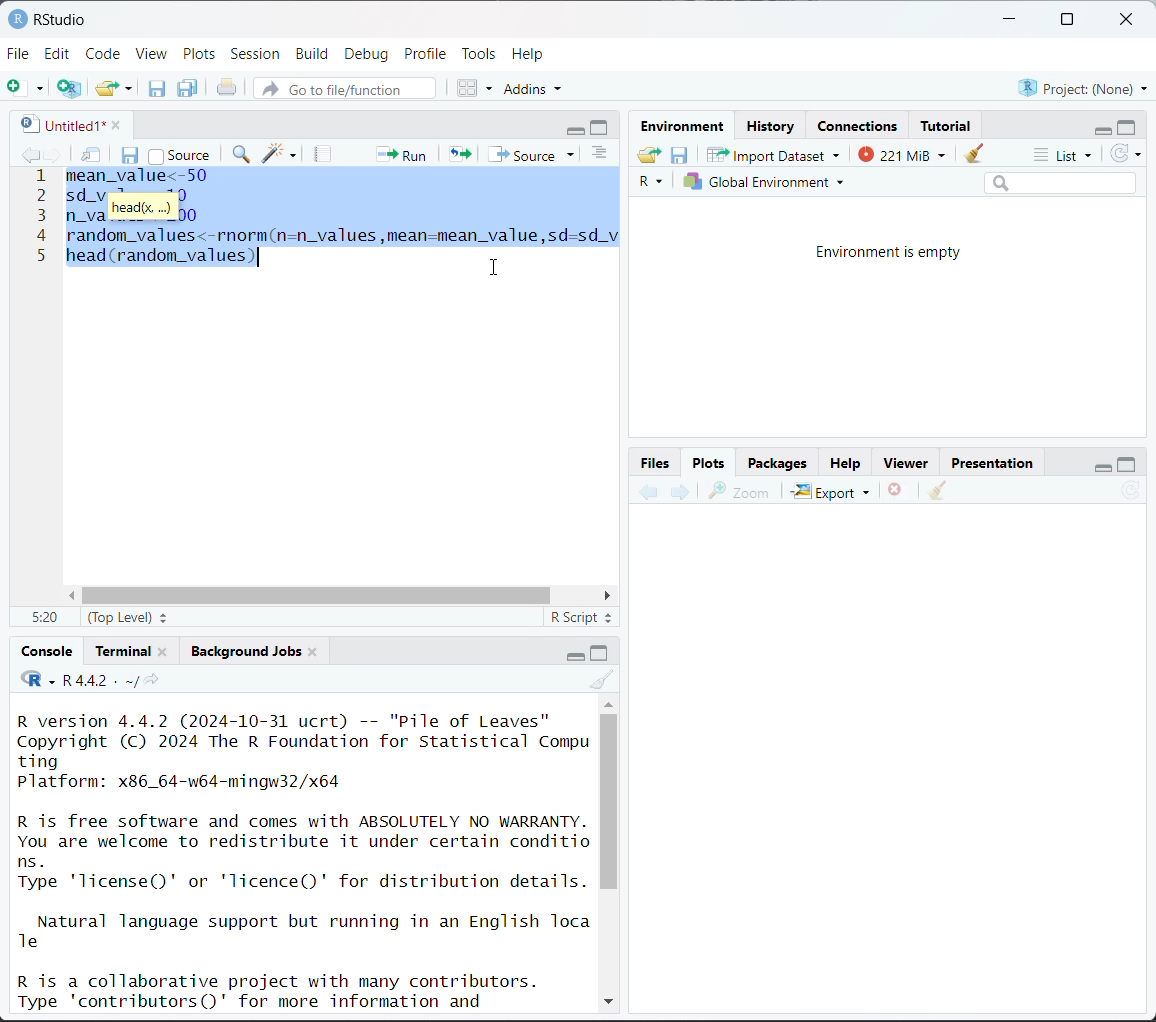 Image resolution: width=1156 pixels, height=1022 pixels. I want to click on remove the current plot, so click(896, 493).